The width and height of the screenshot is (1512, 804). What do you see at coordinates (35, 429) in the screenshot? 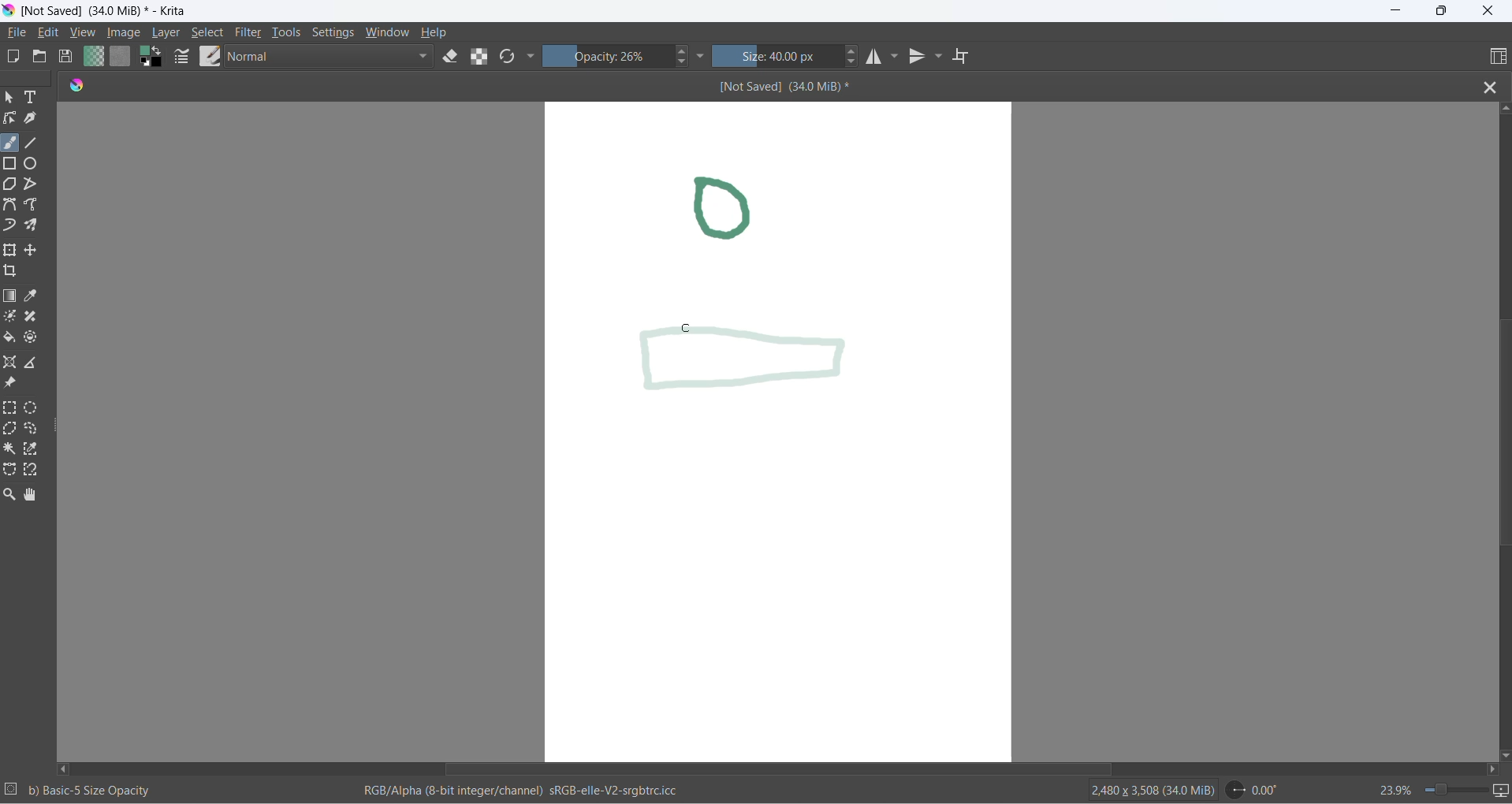
I see `freehand selection tool` at bounding box center [35, 429].